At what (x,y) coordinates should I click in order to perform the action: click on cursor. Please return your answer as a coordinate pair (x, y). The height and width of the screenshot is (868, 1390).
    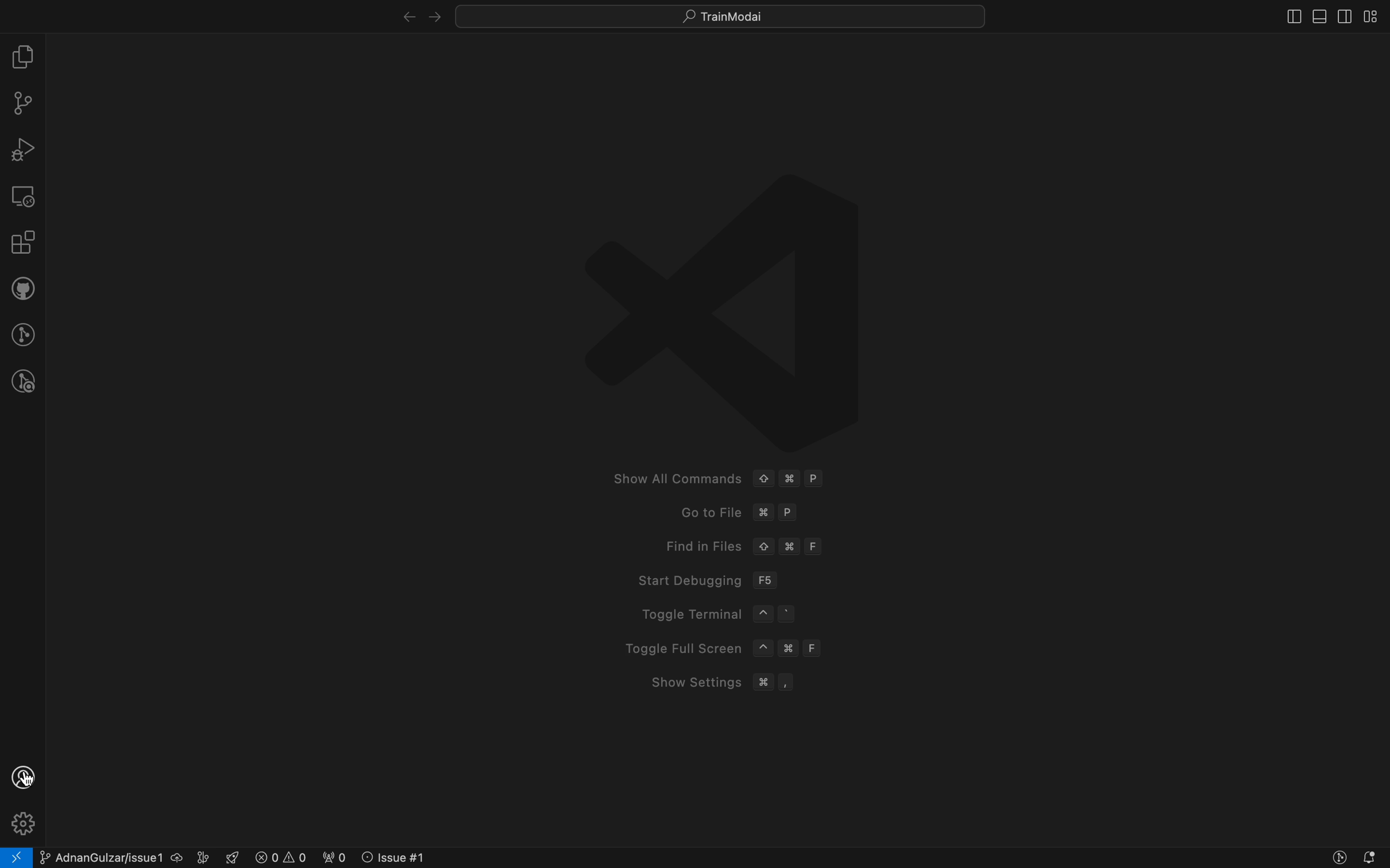
    Looking at the image, I should click on (24, 777).